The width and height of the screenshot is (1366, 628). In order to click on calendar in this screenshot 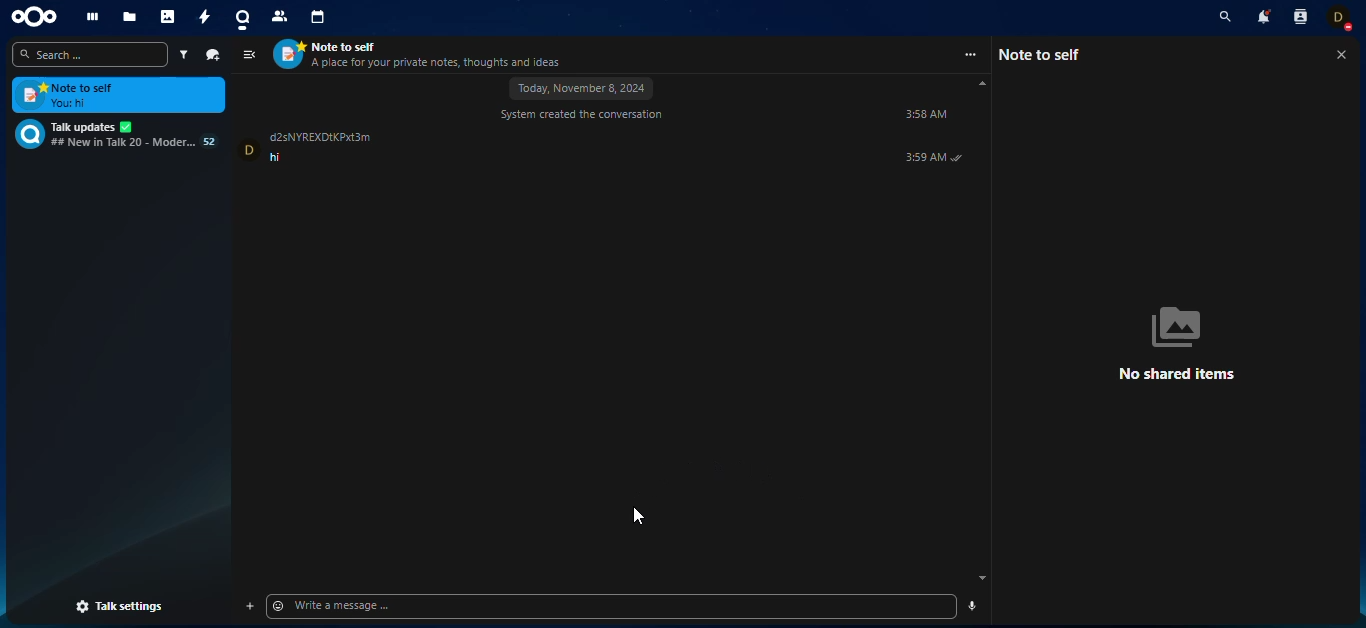, I will do `click(319, 19)`.